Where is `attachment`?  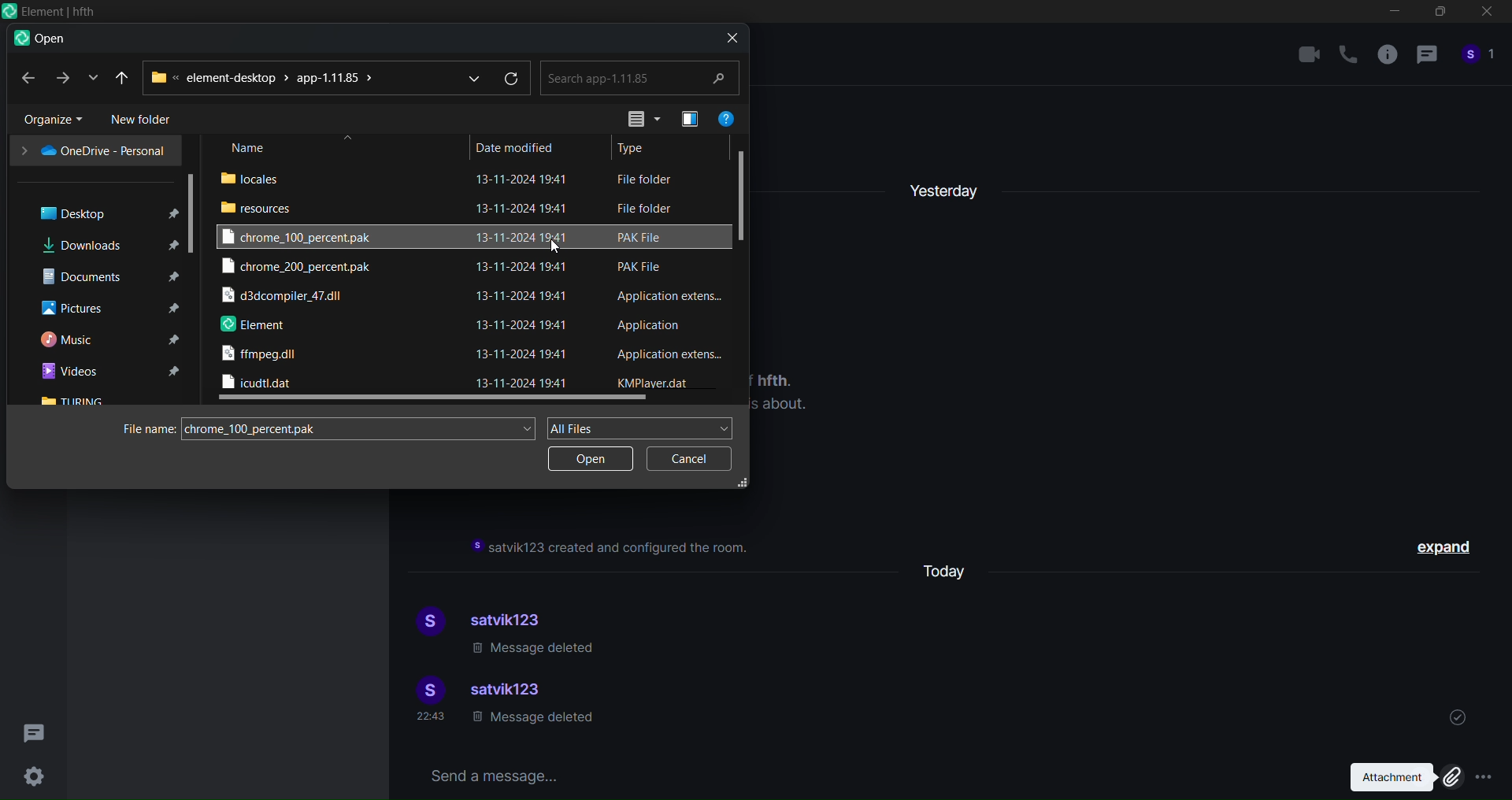
attachment is located at coordinates (1400, 777).